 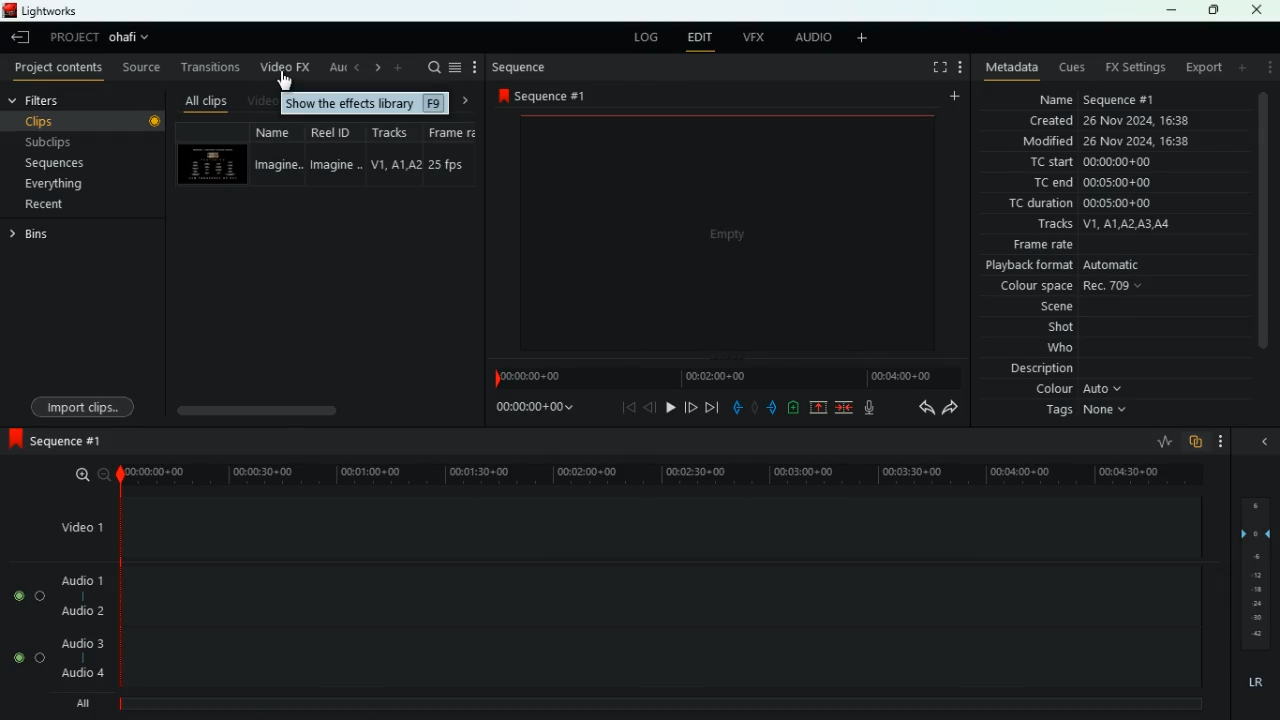 What do you see at coordinates (1110, 120) in the screenshot?
I see `created` at bounding box center [1110, 120].